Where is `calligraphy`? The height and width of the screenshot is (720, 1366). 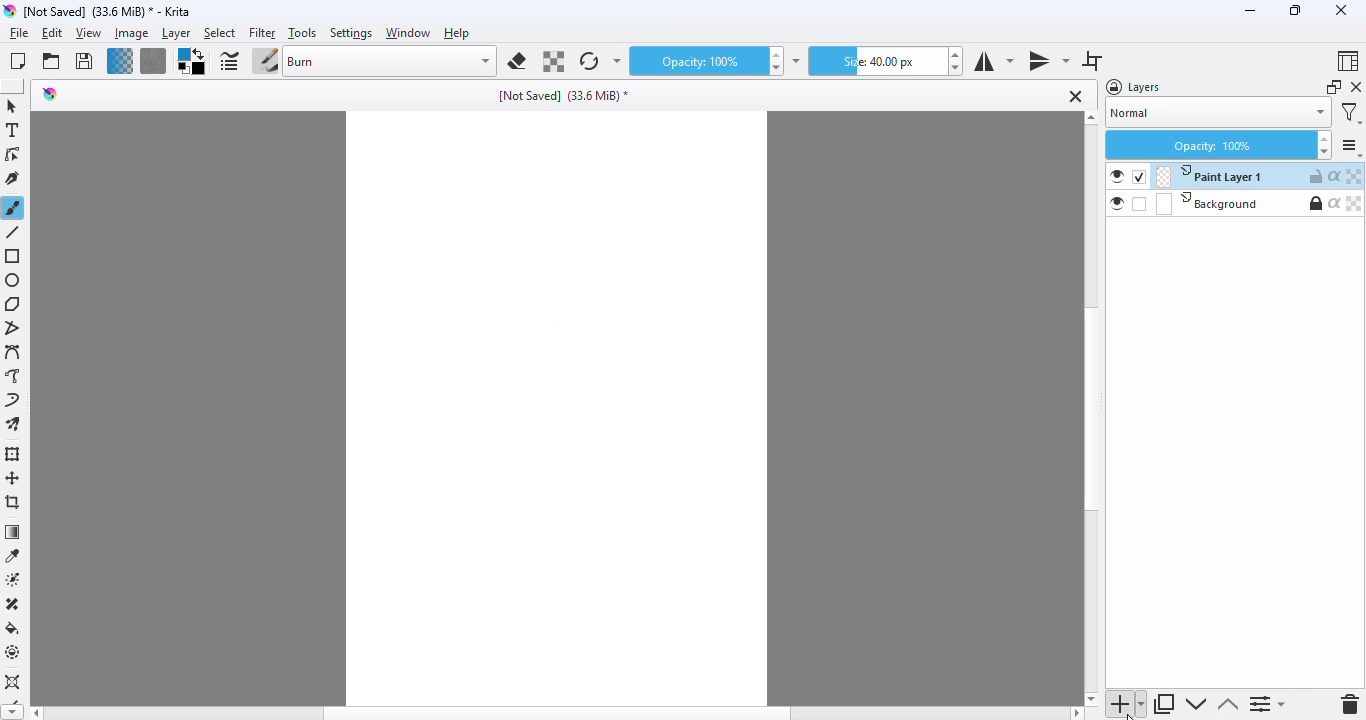
calligraphy is located at coordinates (13, 178).